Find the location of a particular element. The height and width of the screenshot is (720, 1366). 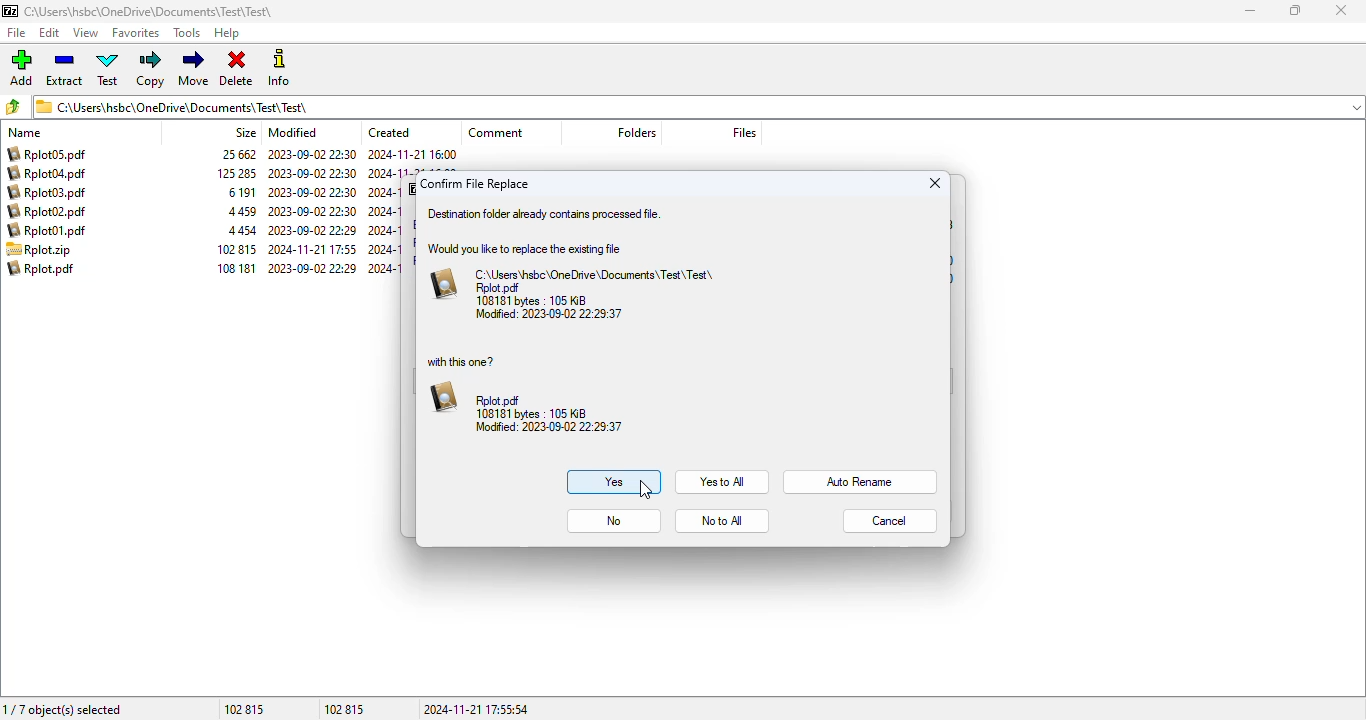

| C:\Users\hsbc\OneDrive\Documents\ Test\ Test\ is located at coordinates (177, 106).